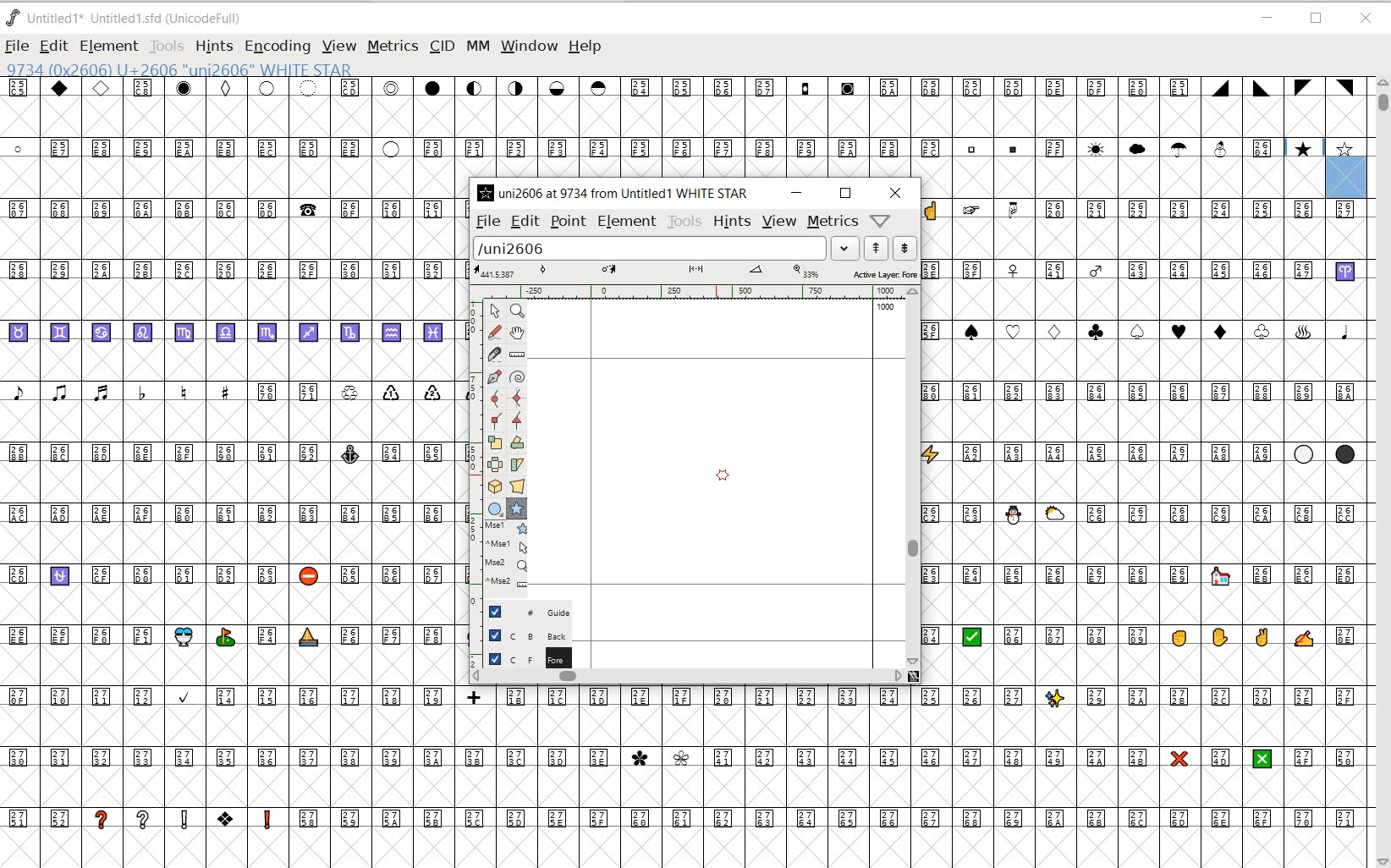  Describe the element at coordinates (214, 47) in the screenshot. I see `HINTS` at that location.